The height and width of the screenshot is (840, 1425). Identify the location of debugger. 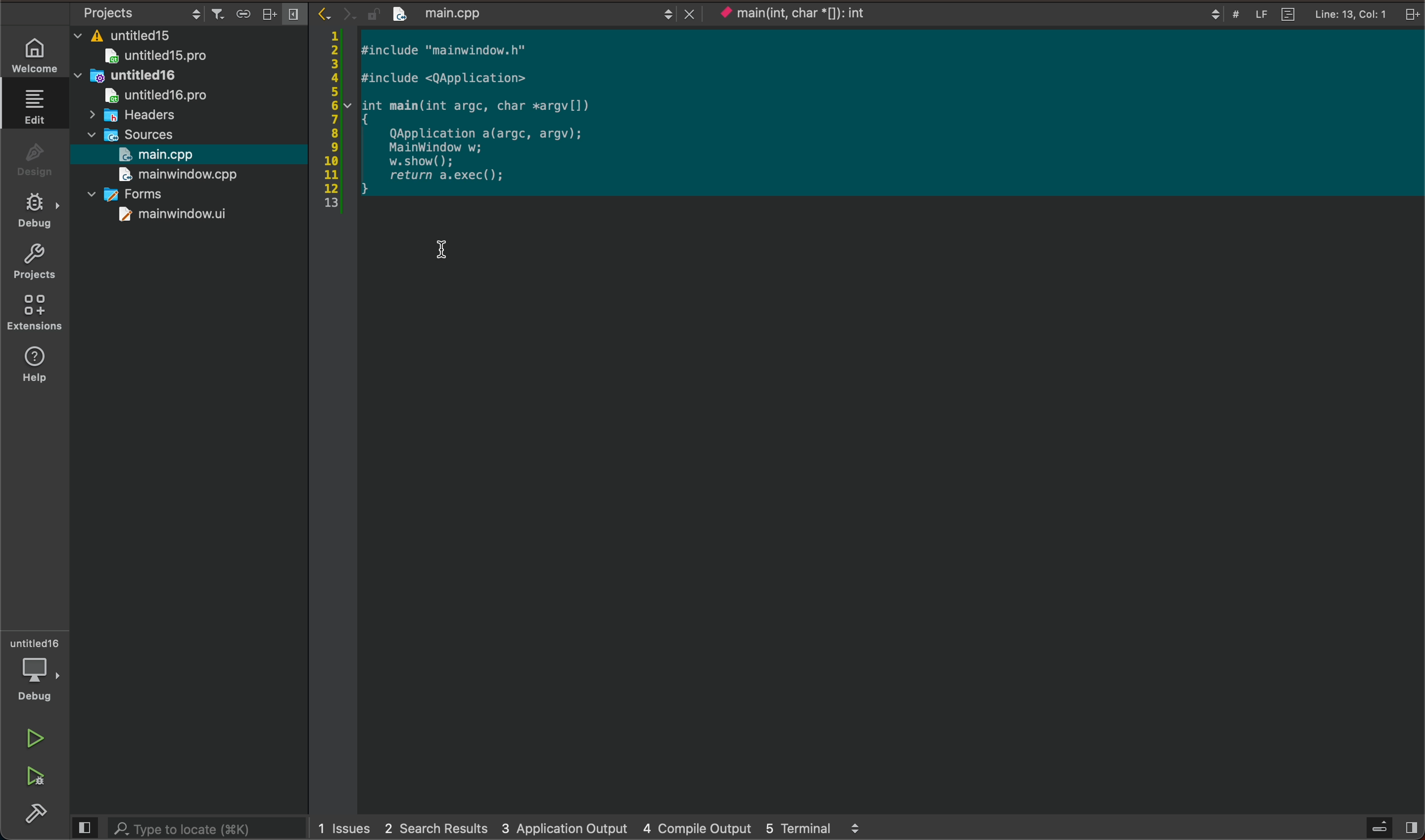
(38, 671).